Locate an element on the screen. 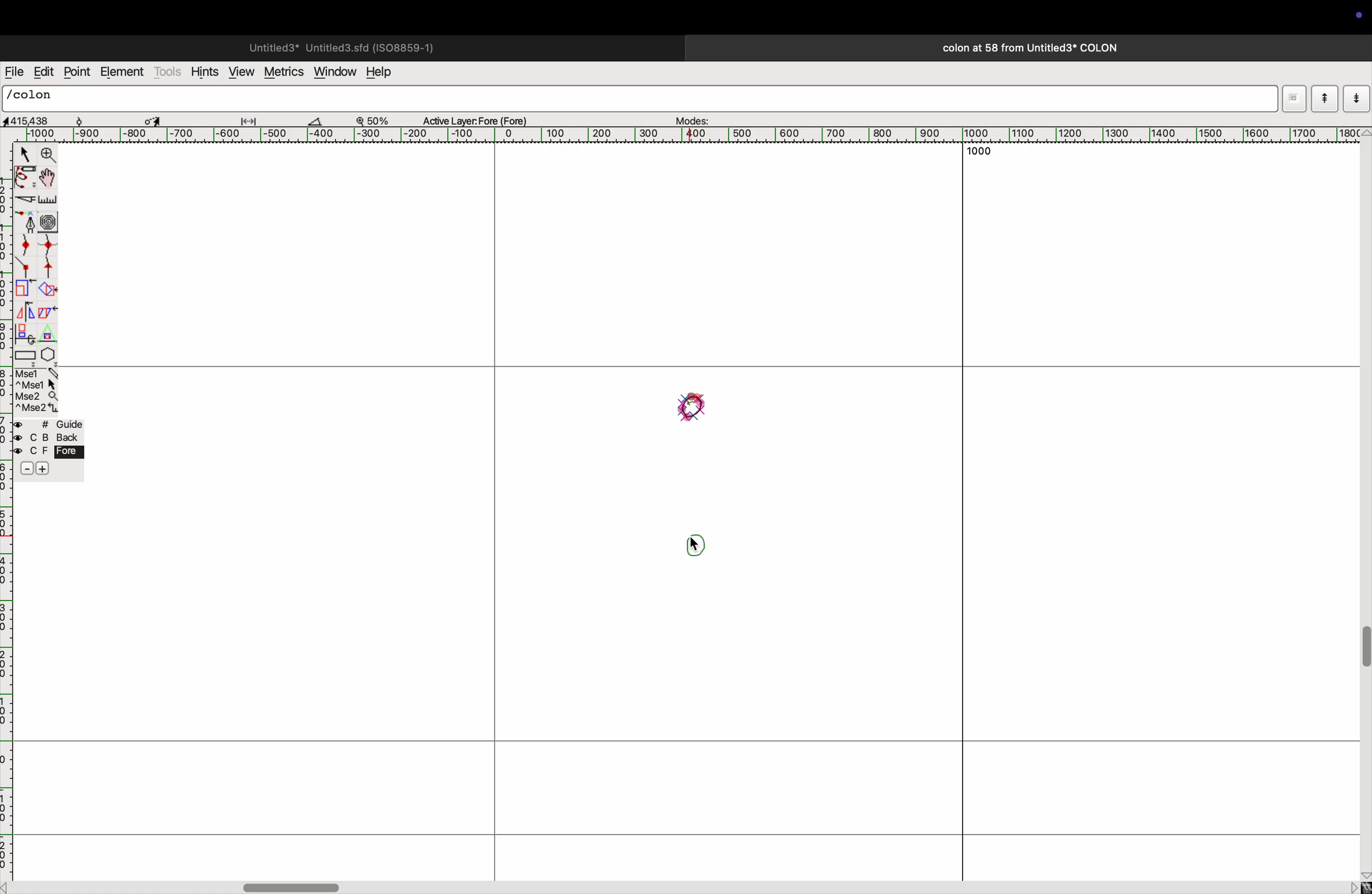 Image resolution: width=1372 pixels, height=894 pixels. cut is located at coordinates (322, 121).